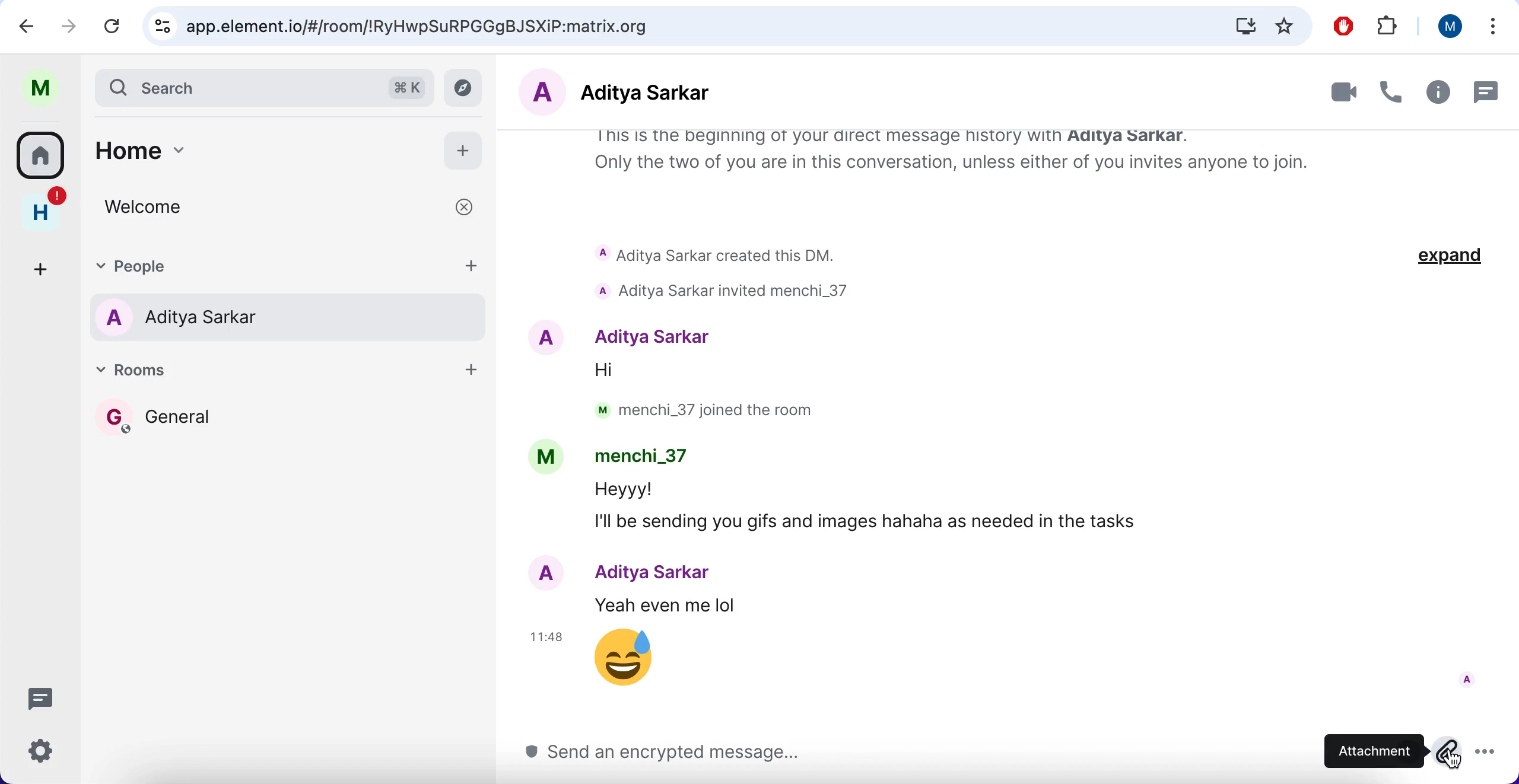 The height and width of the screenshot is (784, 1519). I want to click on search, so click(258, 87).